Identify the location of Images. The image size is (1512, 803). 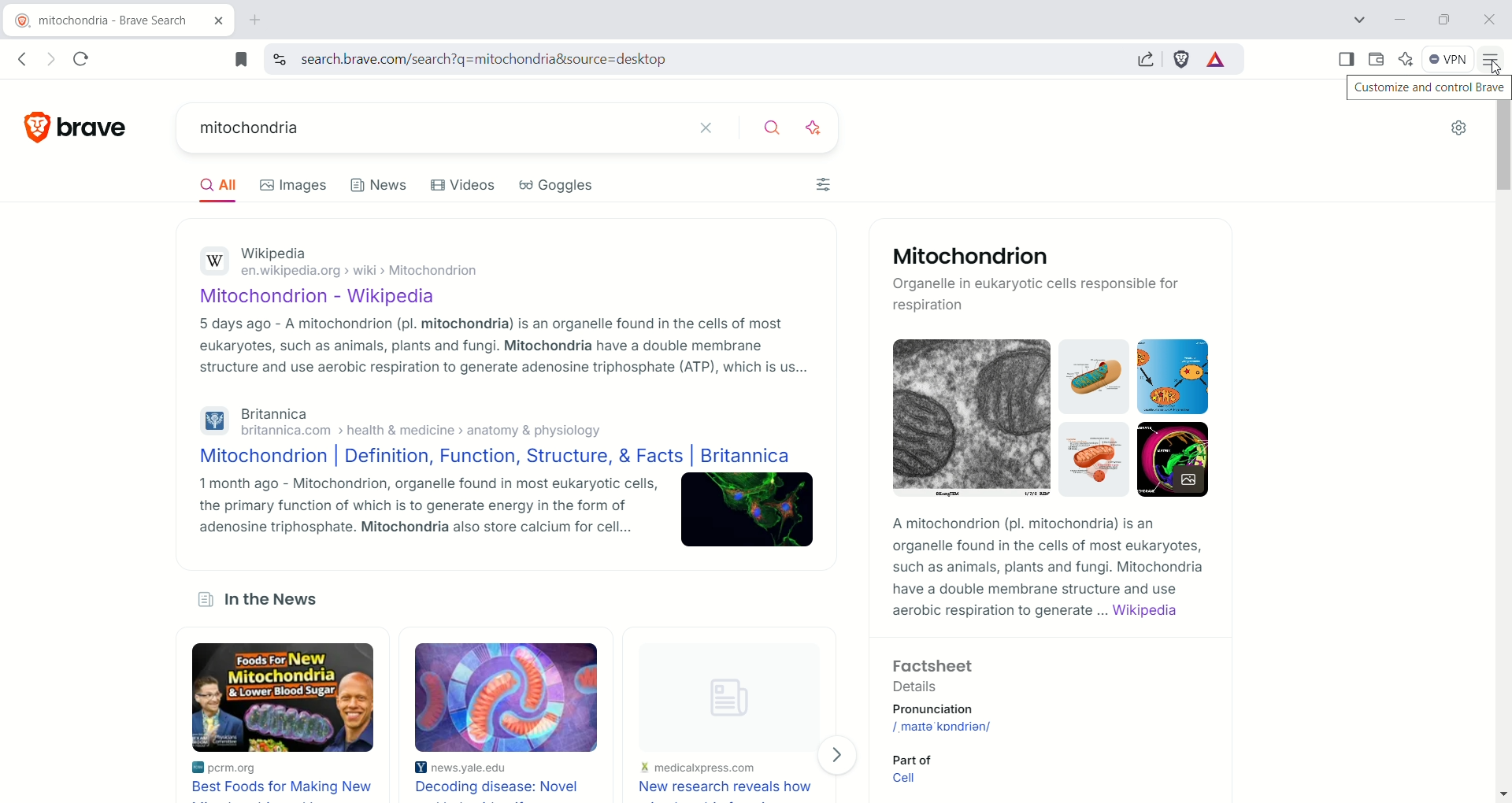
(299, 187).